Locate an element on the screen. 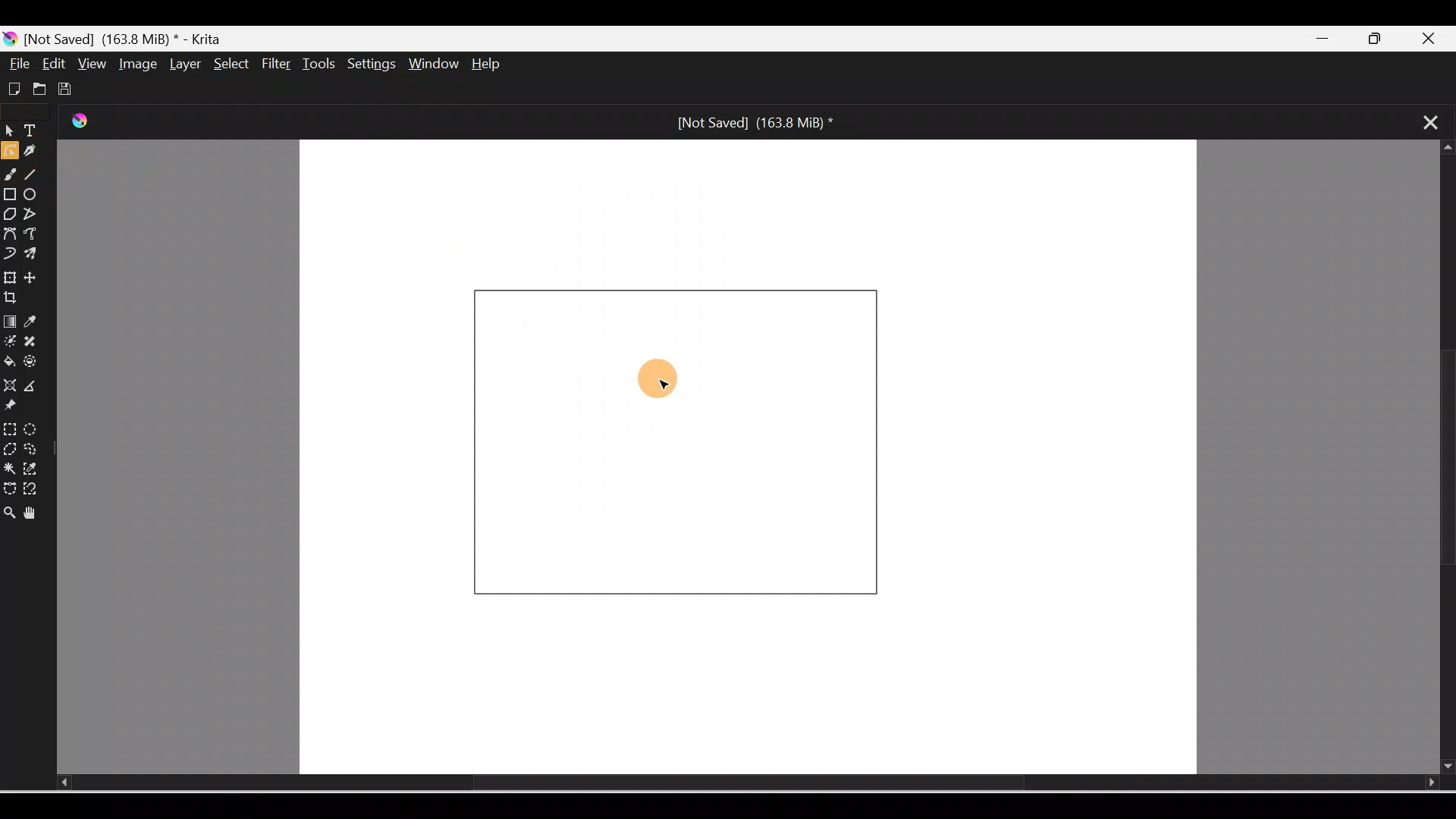  Minimize is located at coordinates (1326, 39).